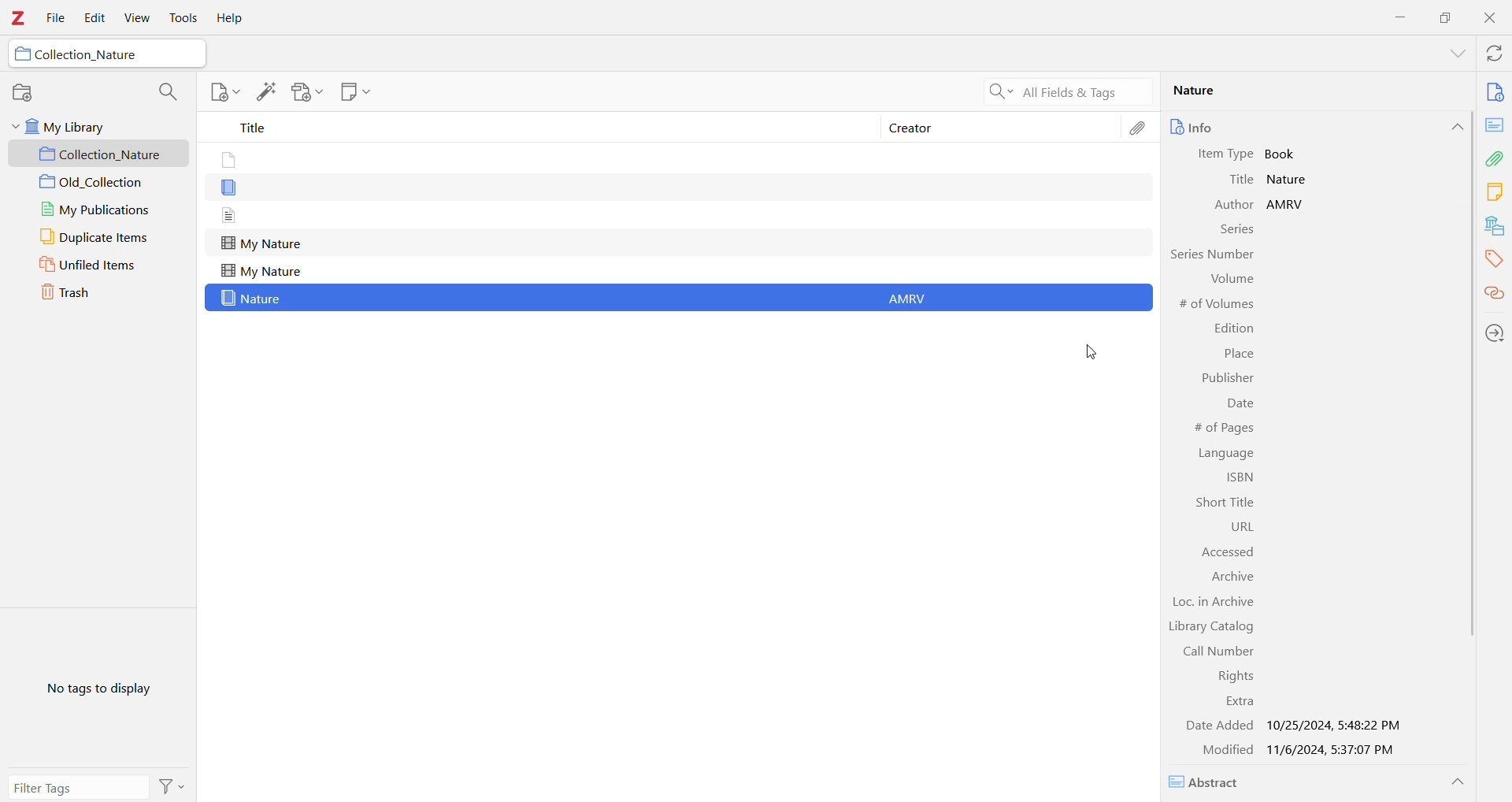  Describe the element at coordinates (1236, 232) in the screenshot. I see `Series` at that location.